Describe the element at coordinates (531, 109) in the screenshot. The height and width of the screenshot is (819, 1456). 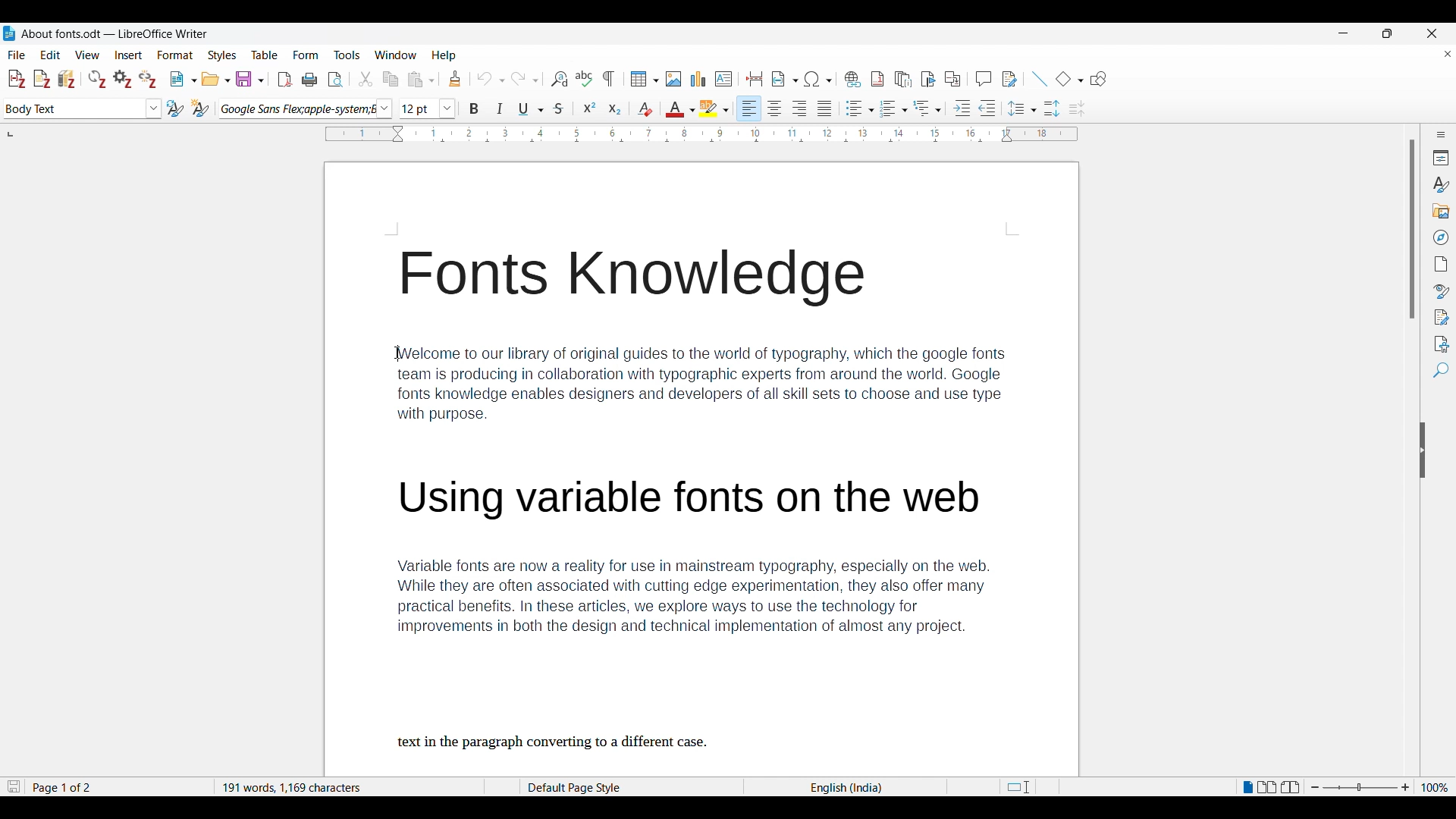
I see `Underline options` at that location.